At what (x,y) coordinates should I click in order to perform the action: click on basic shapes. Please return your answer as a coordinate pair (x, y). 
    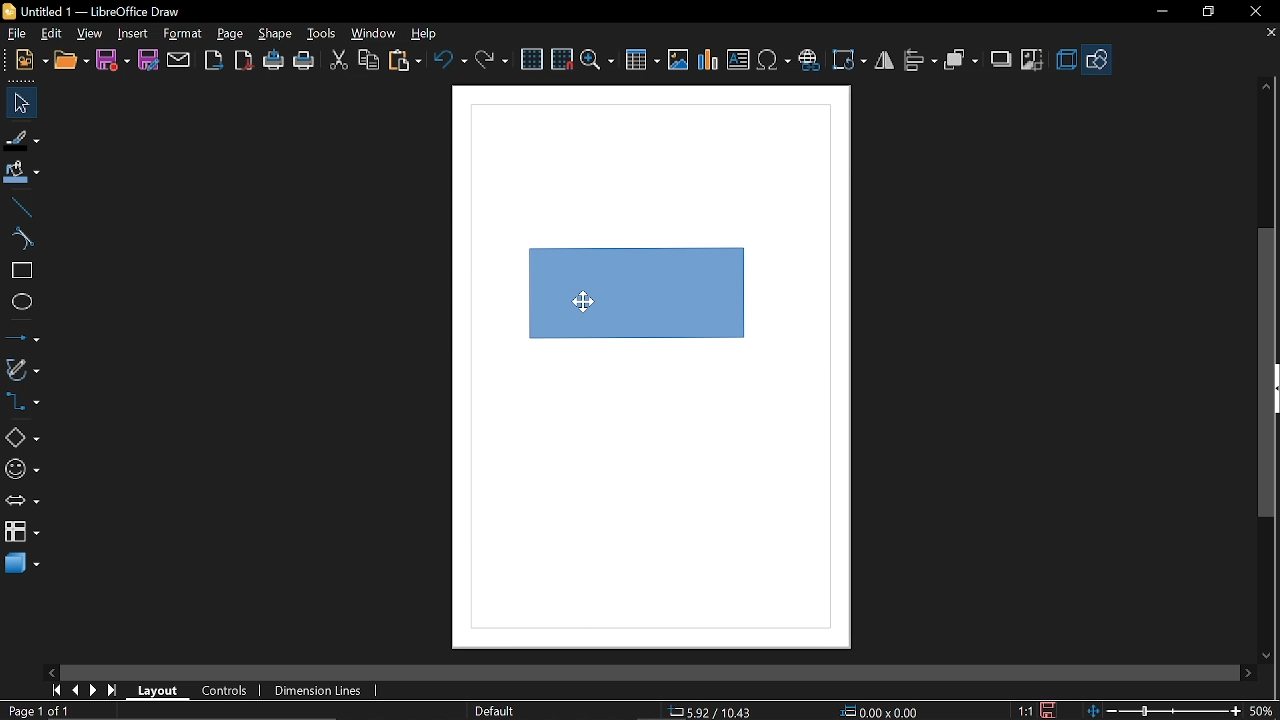
    Looking at the image, I should click on (22, 438).